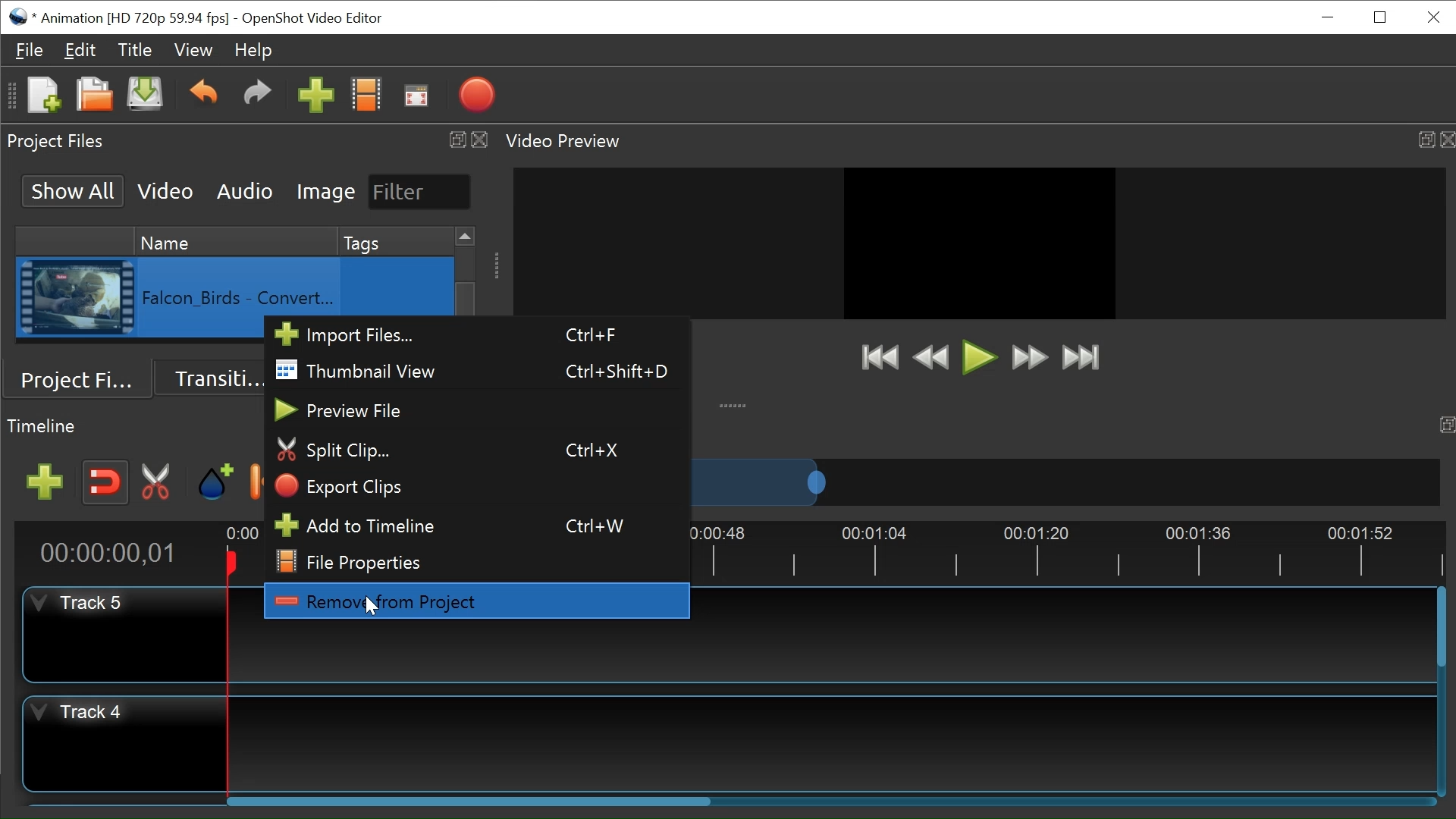  Describe the element at coordinates (95, 96) in the screenshot. I see `Open Project` at that location.